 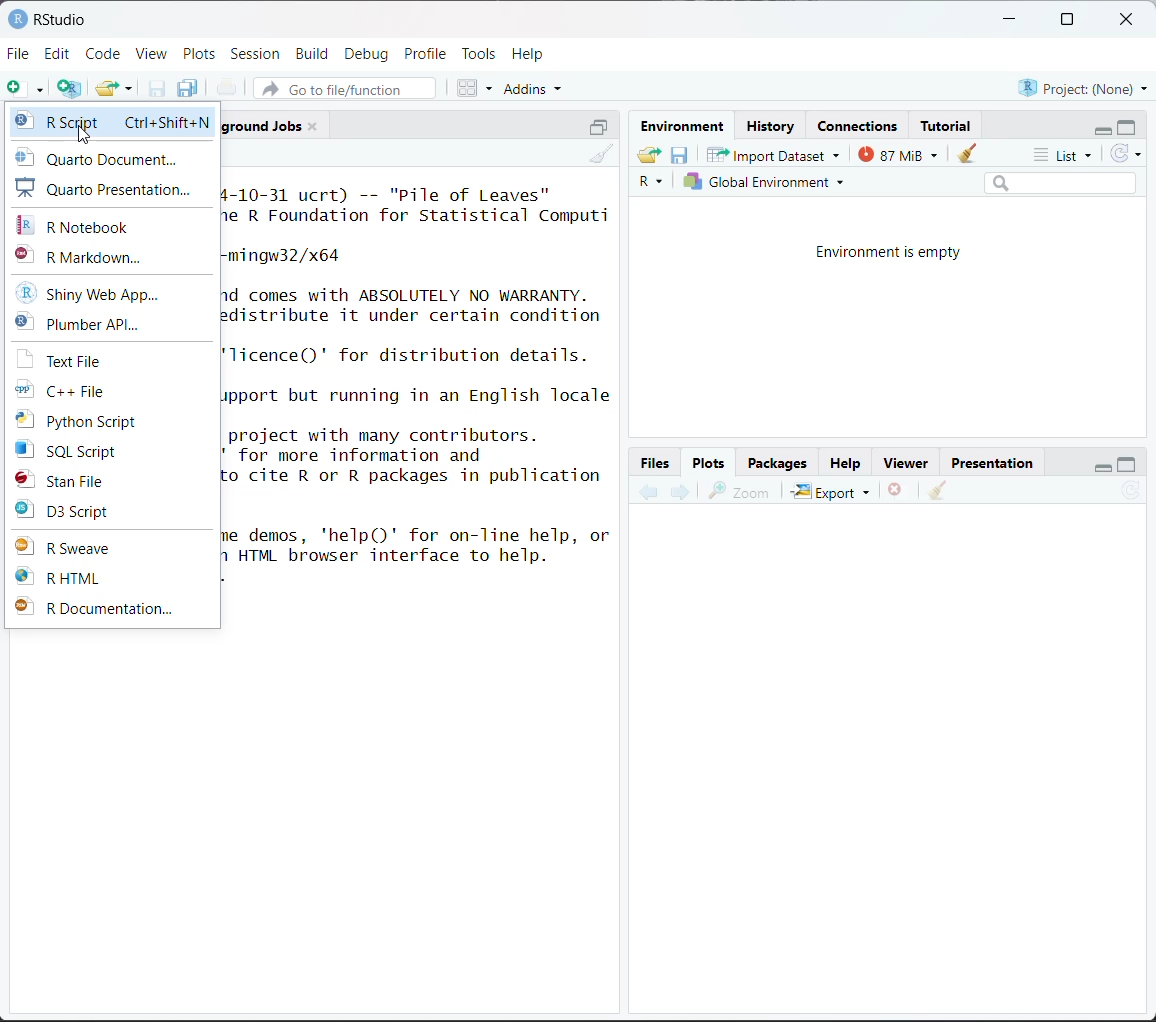 I want to click on maximize, so click(x=1127, y=463).